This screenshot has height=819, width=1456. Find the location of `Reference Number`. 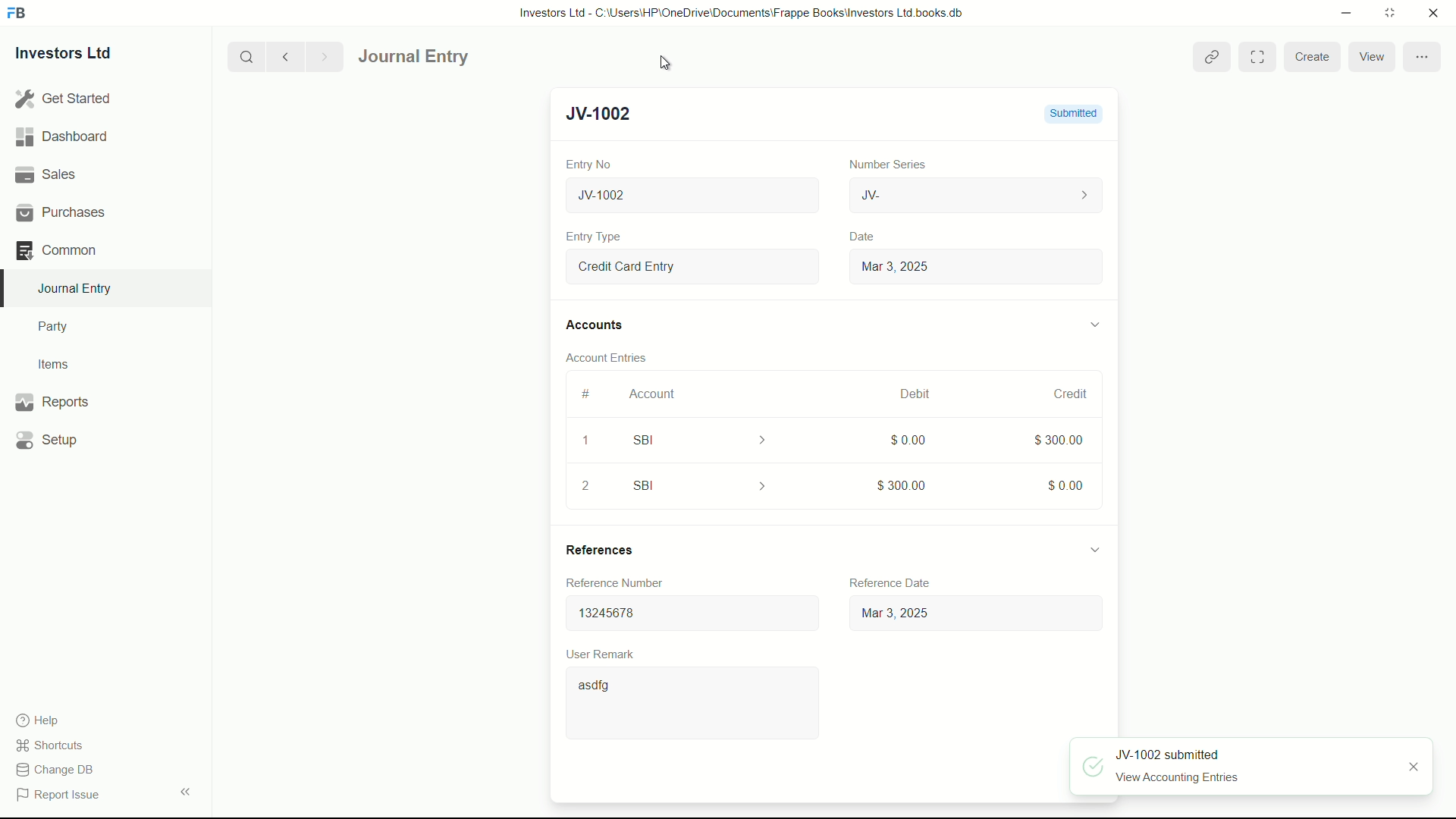

Reference Number is located at coordinates (625, 583).